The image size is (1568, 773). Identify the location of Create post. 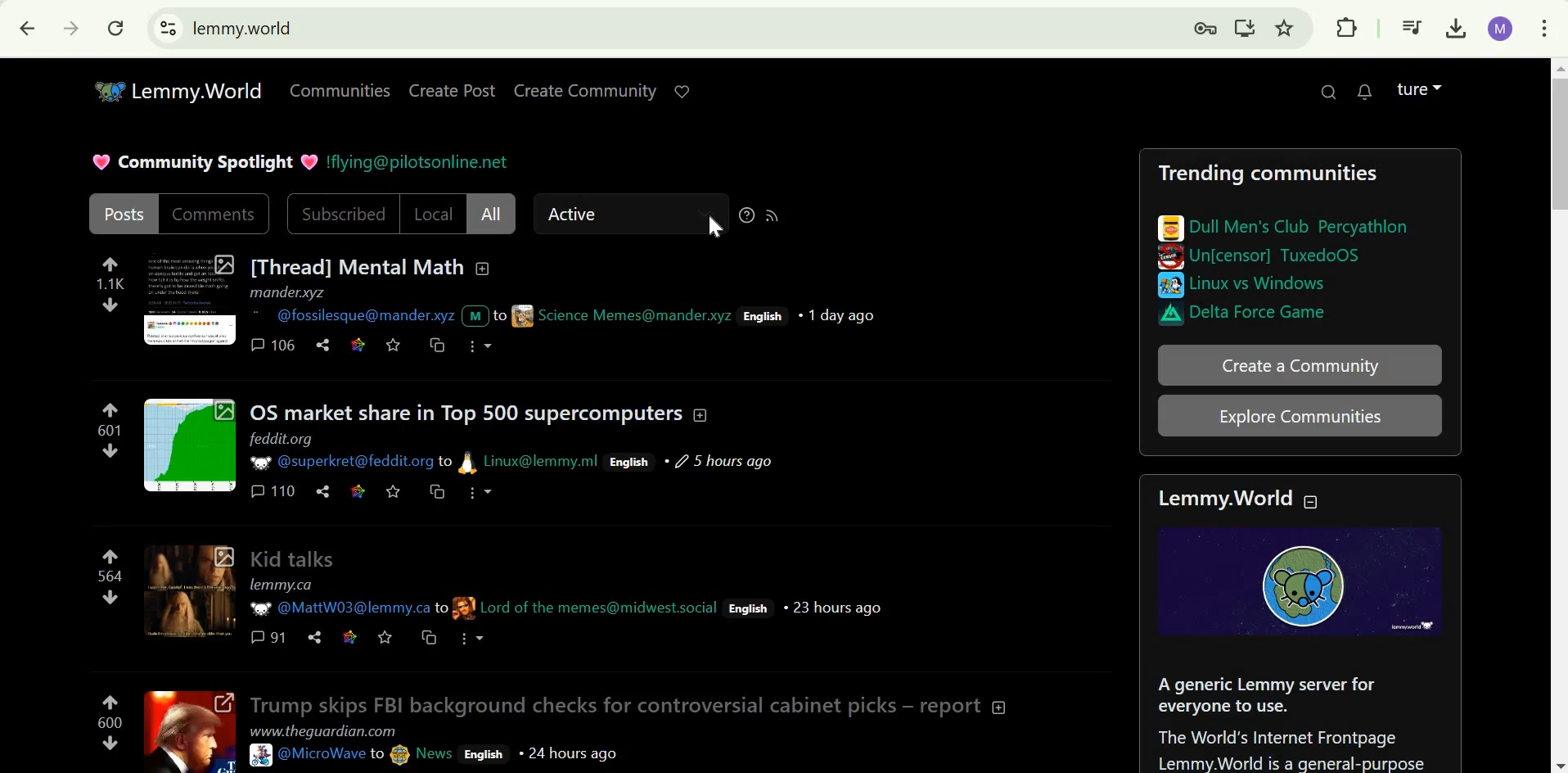
(453, 91).